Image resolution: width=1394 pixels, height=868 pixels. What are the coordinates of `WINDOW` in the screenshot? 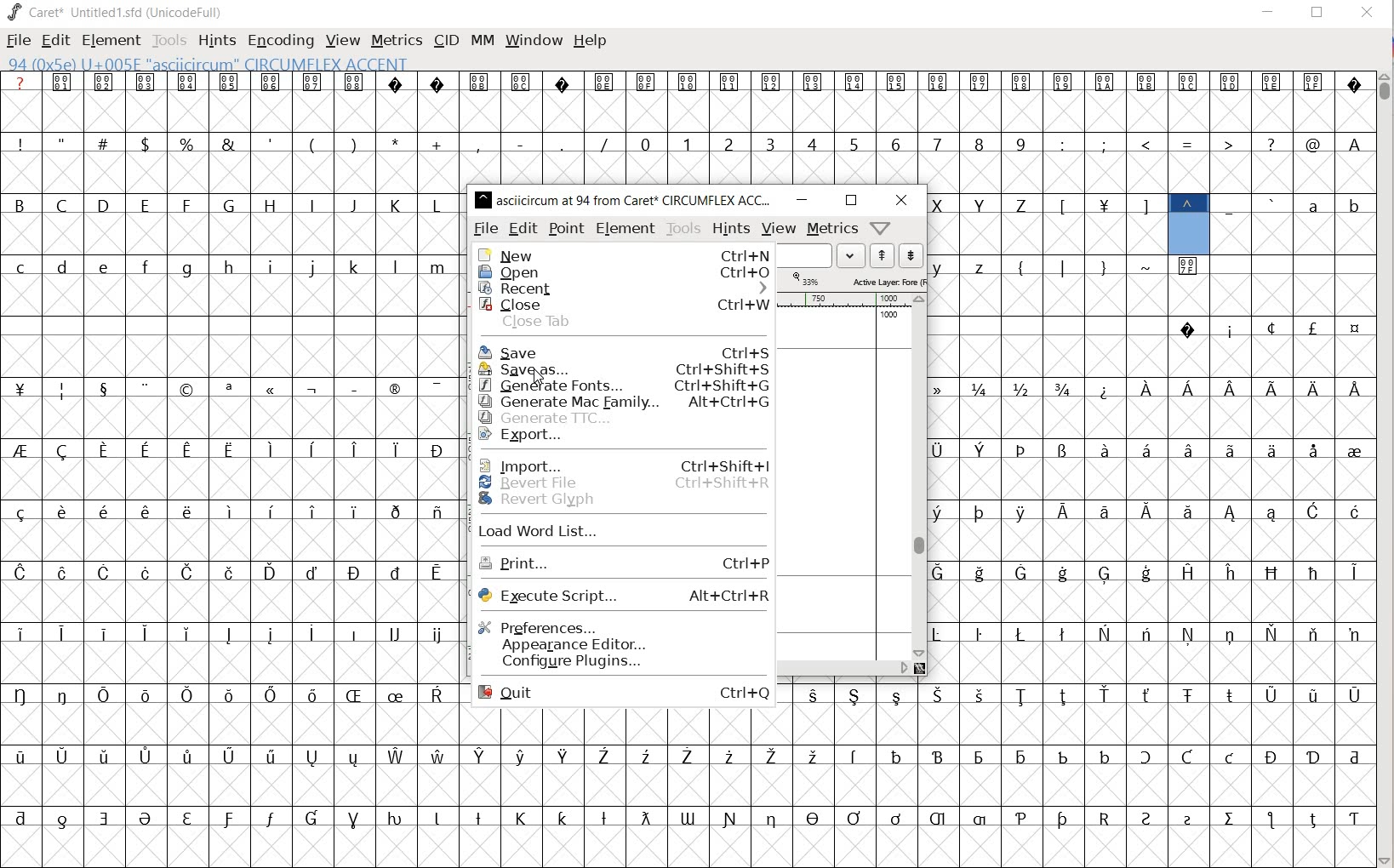 It's located at (532, 39).